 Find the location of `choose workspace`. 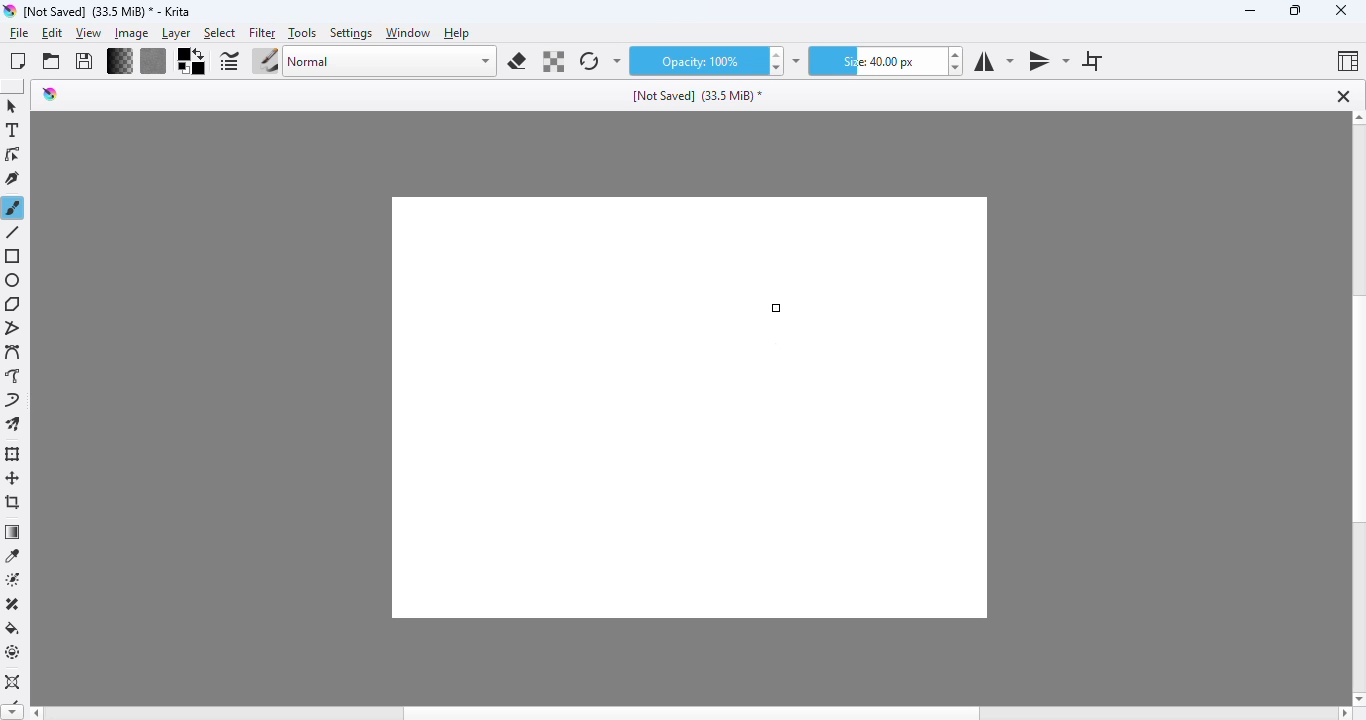

choose workspace is located at coordinates (1348, 61).